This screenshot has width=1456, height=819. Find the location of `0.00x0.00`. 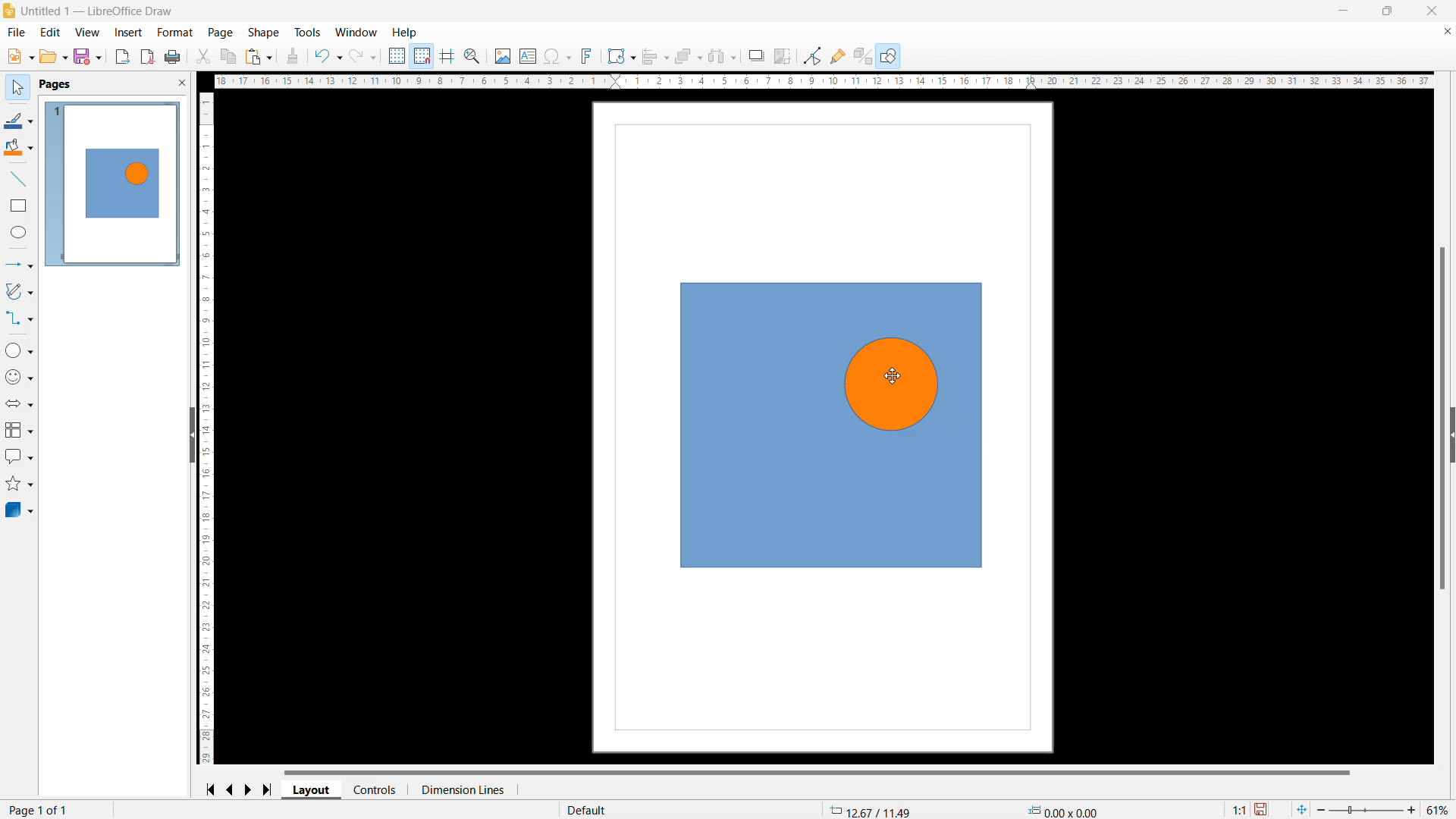

0.00x0.00 is located at coordinates (1065, 810).